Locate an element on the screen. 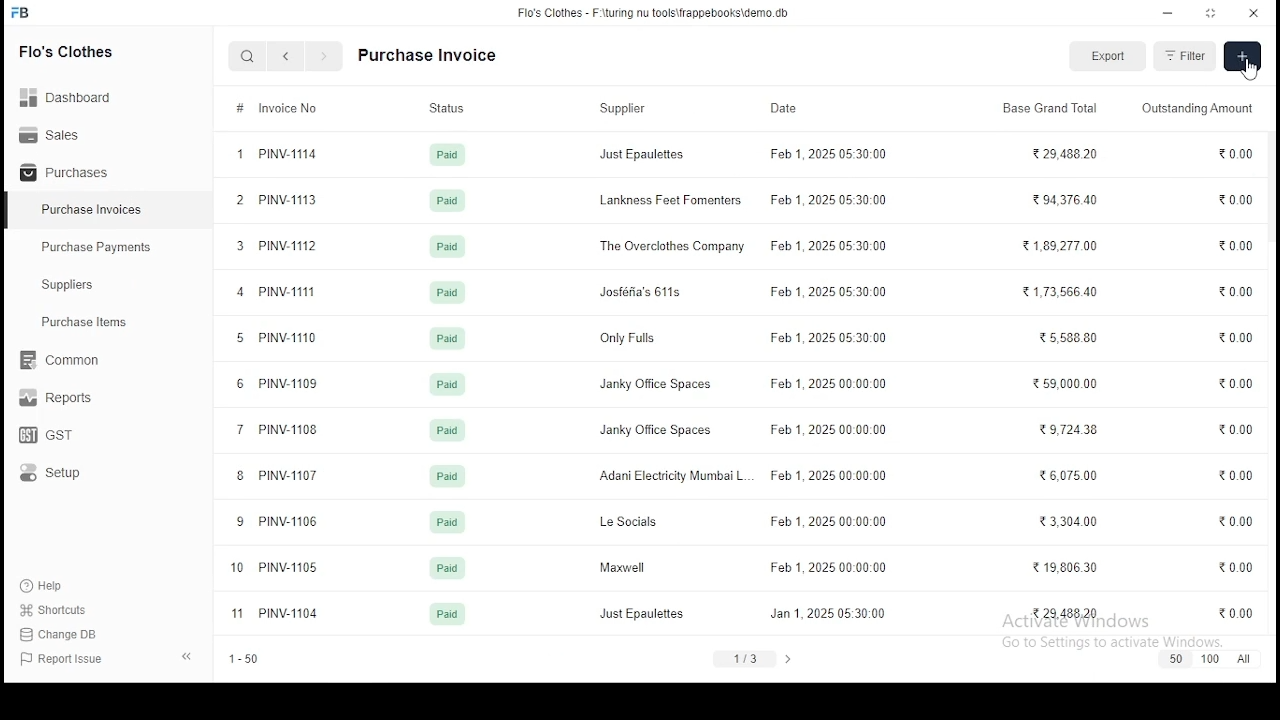 This screenshot has width=1280, height=720. paid is located at coordinates (448, 246).